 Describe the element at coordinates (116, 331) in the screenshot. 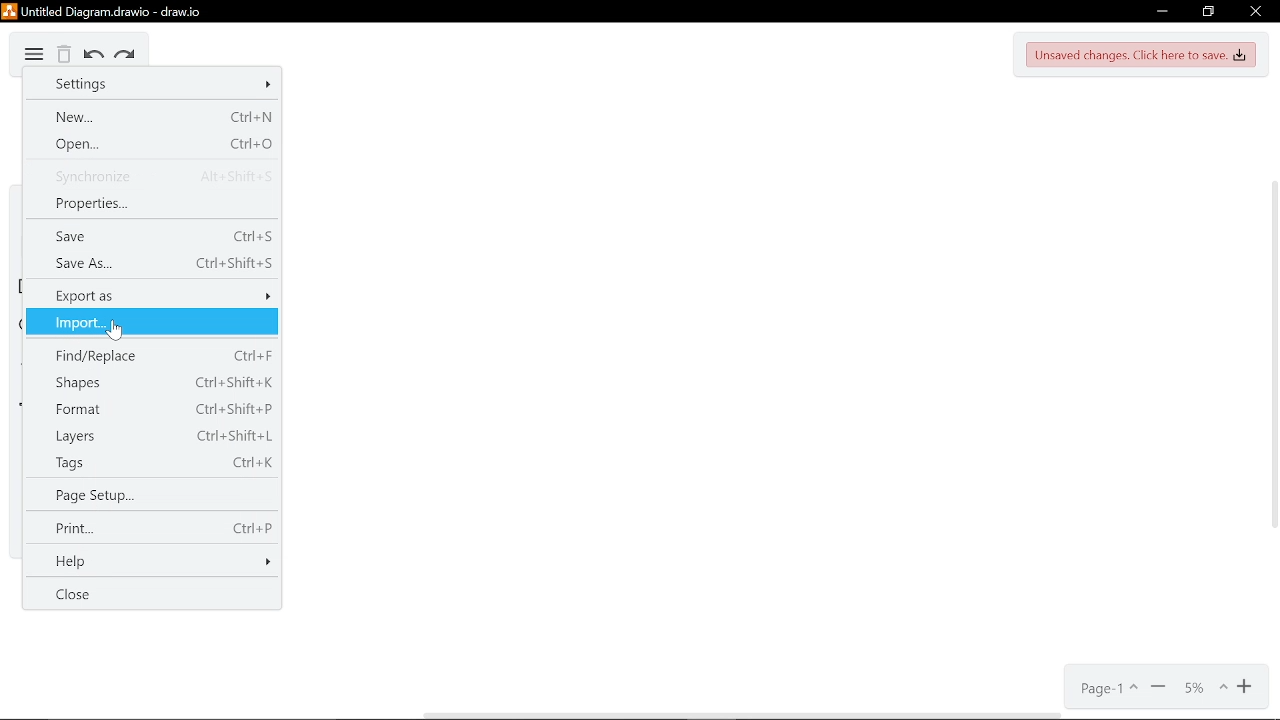

I see `cursor` at that location.